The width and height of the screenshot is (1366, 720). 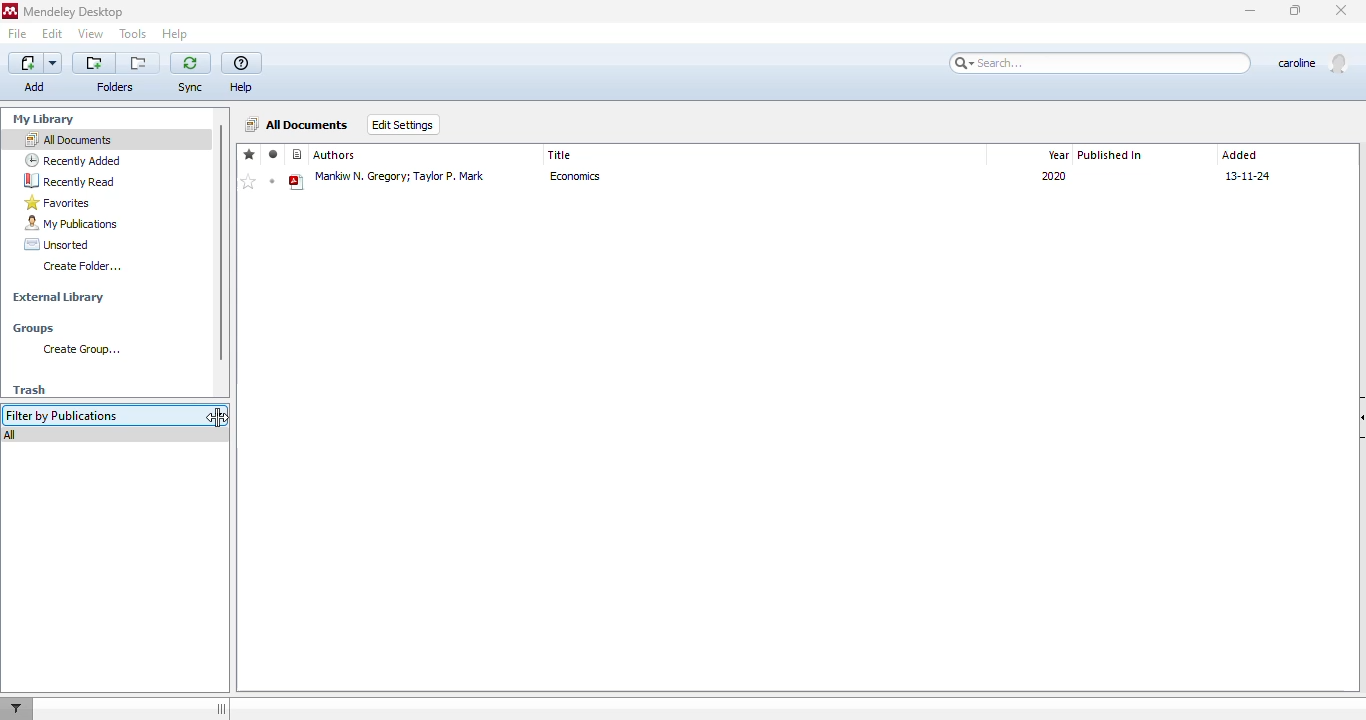 I want to click on recently added, so click(x=73, y=160).